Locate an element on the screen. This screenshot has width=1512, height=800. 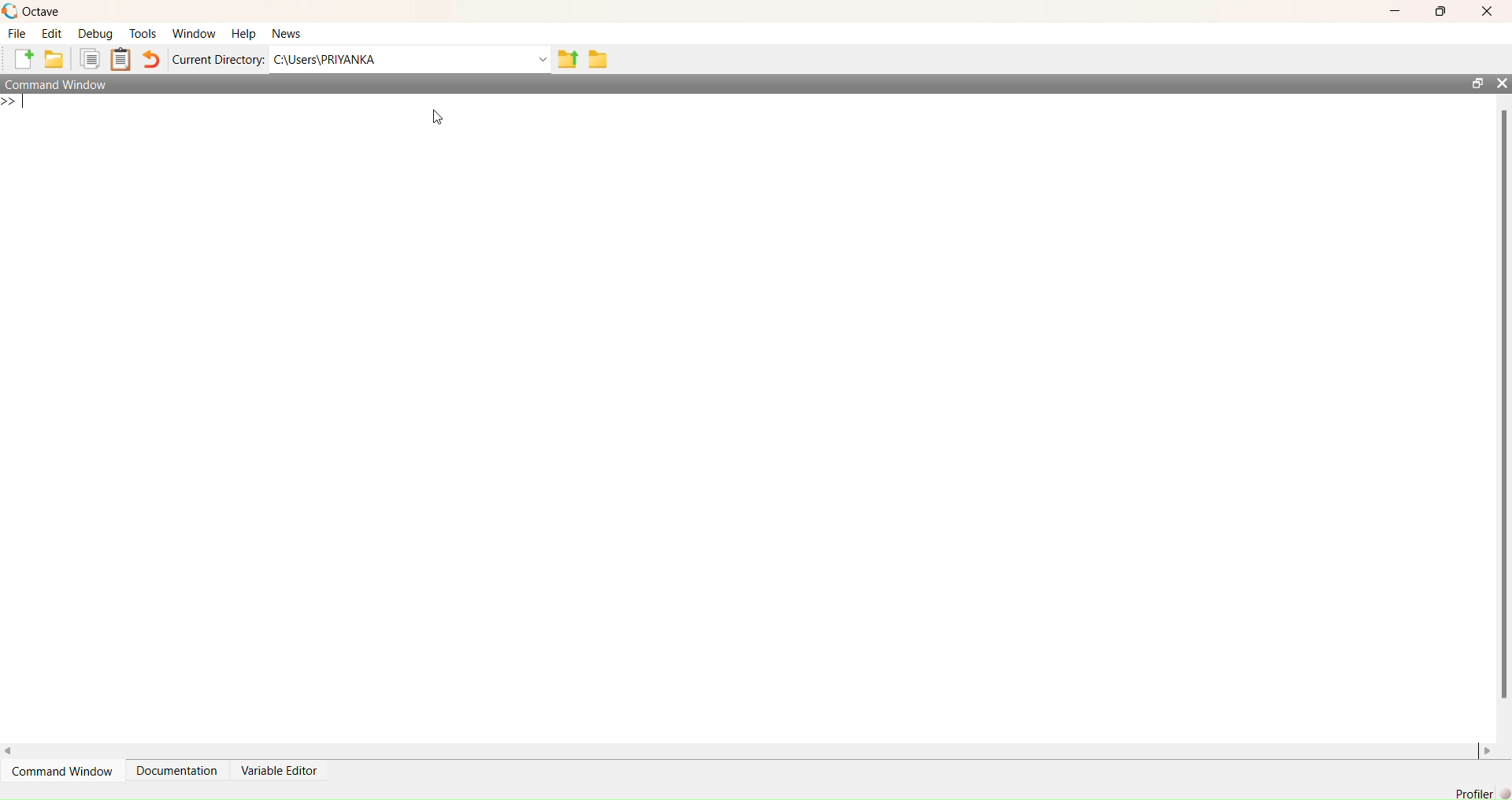
file is located at coordinates (17, 32).